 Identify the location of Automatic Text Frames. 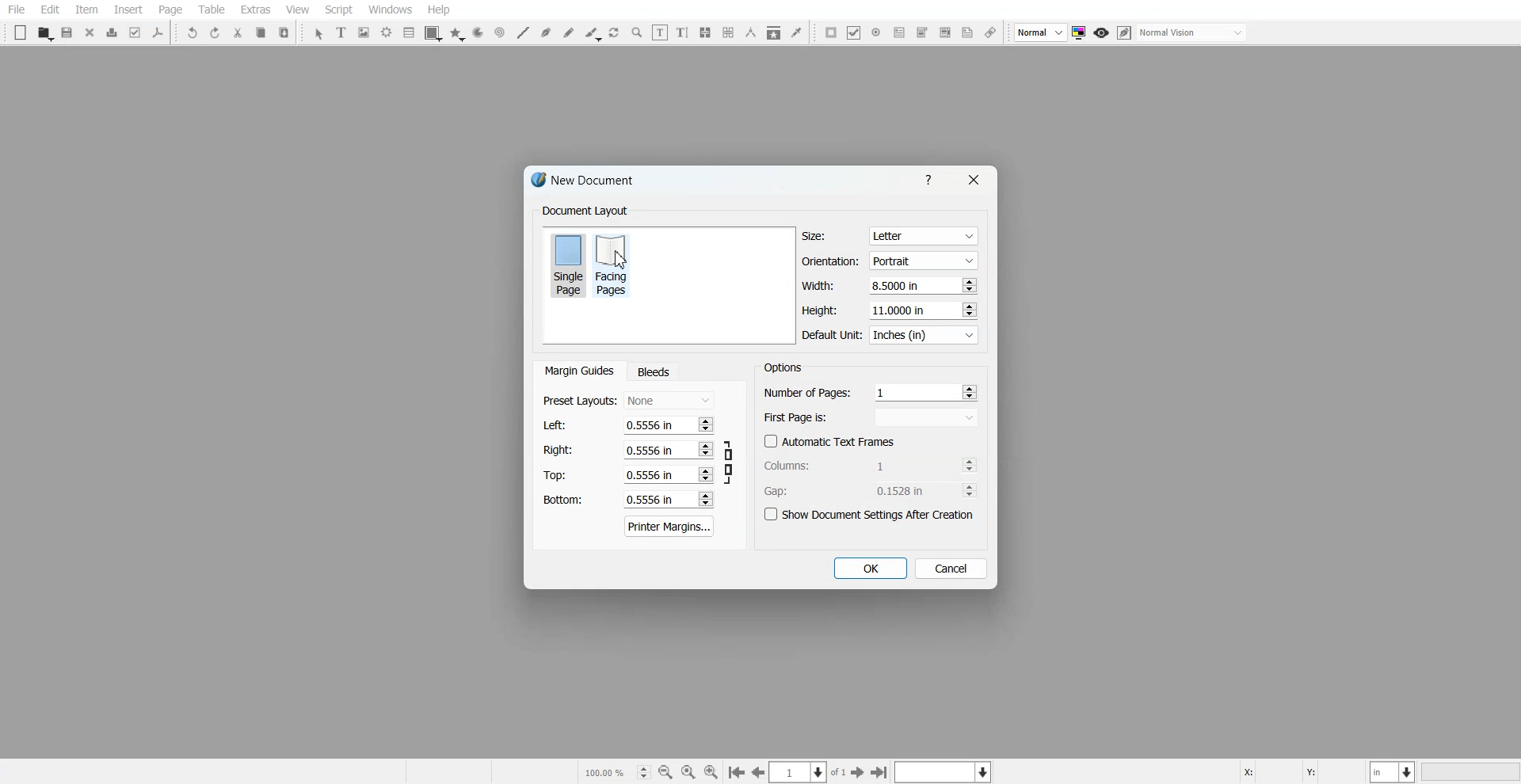
(830, 441).